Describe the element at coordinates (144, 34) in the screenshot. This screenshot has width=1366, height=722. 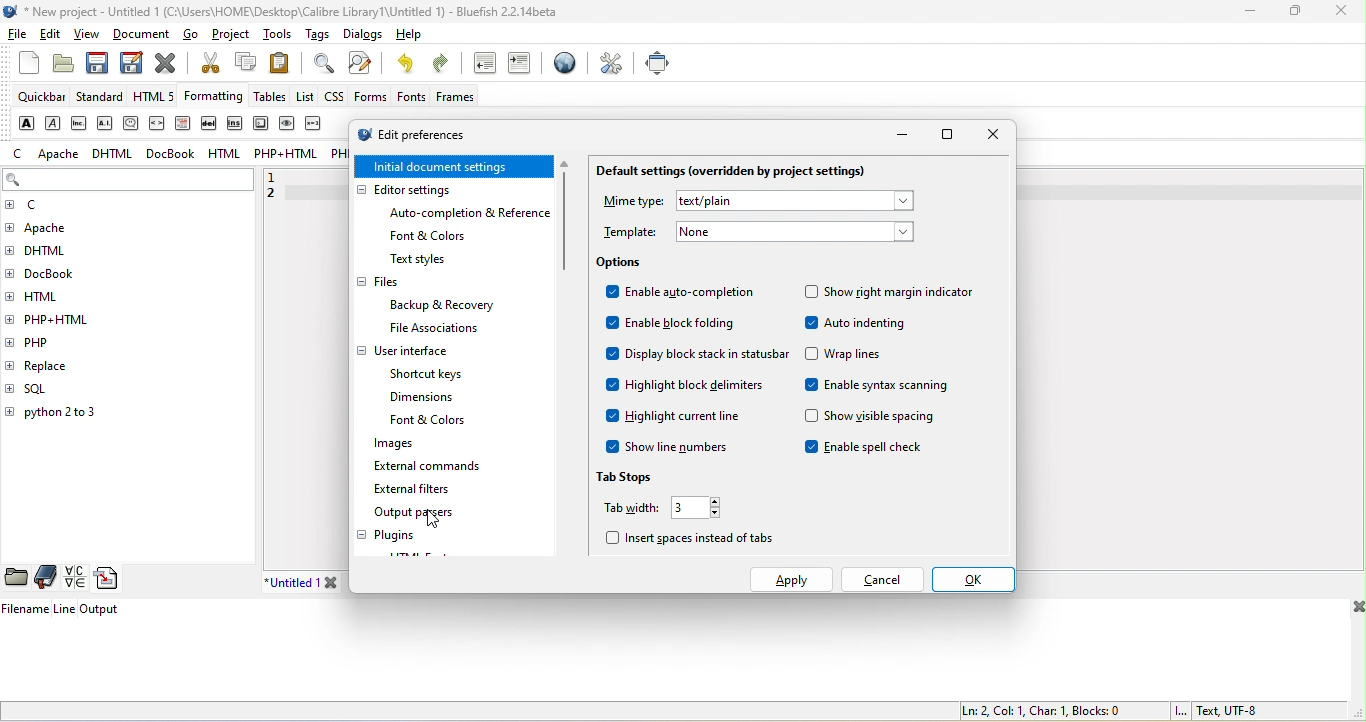
I see `document` at that location.